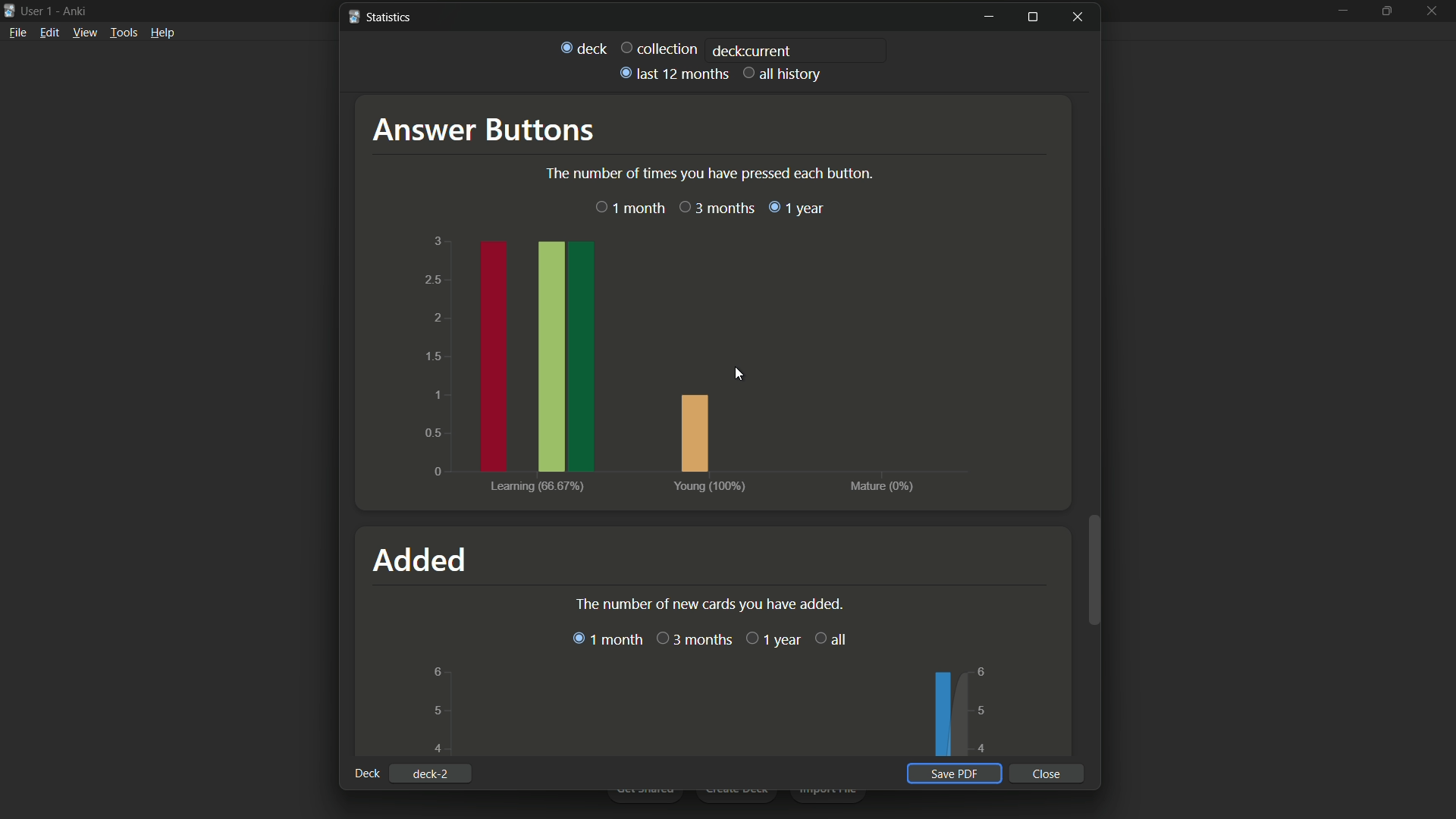  I want to click on scroll bar, so click(1096, 569).